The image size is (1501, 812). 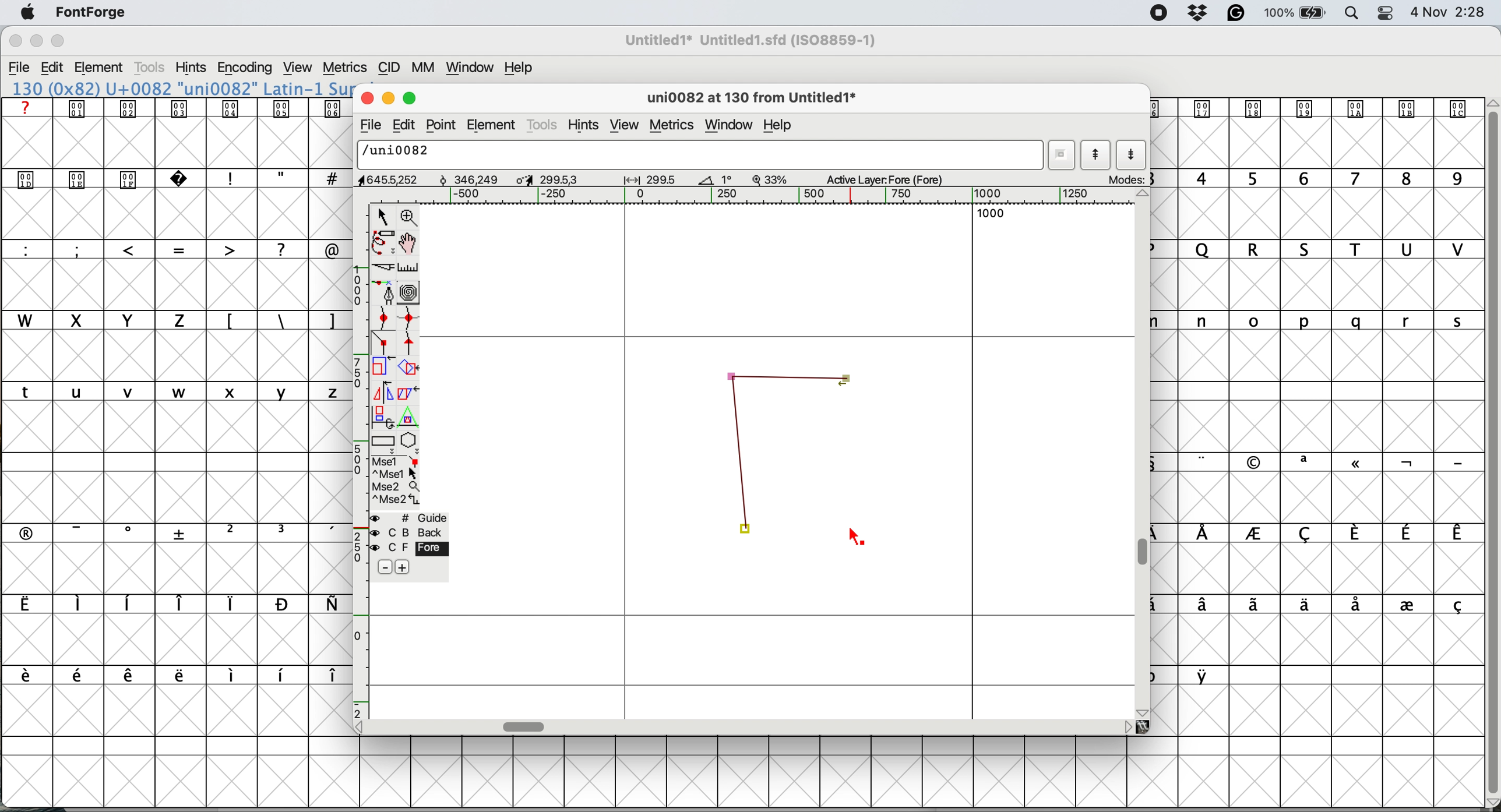 I want to click on view, so click(x=300, y=68).